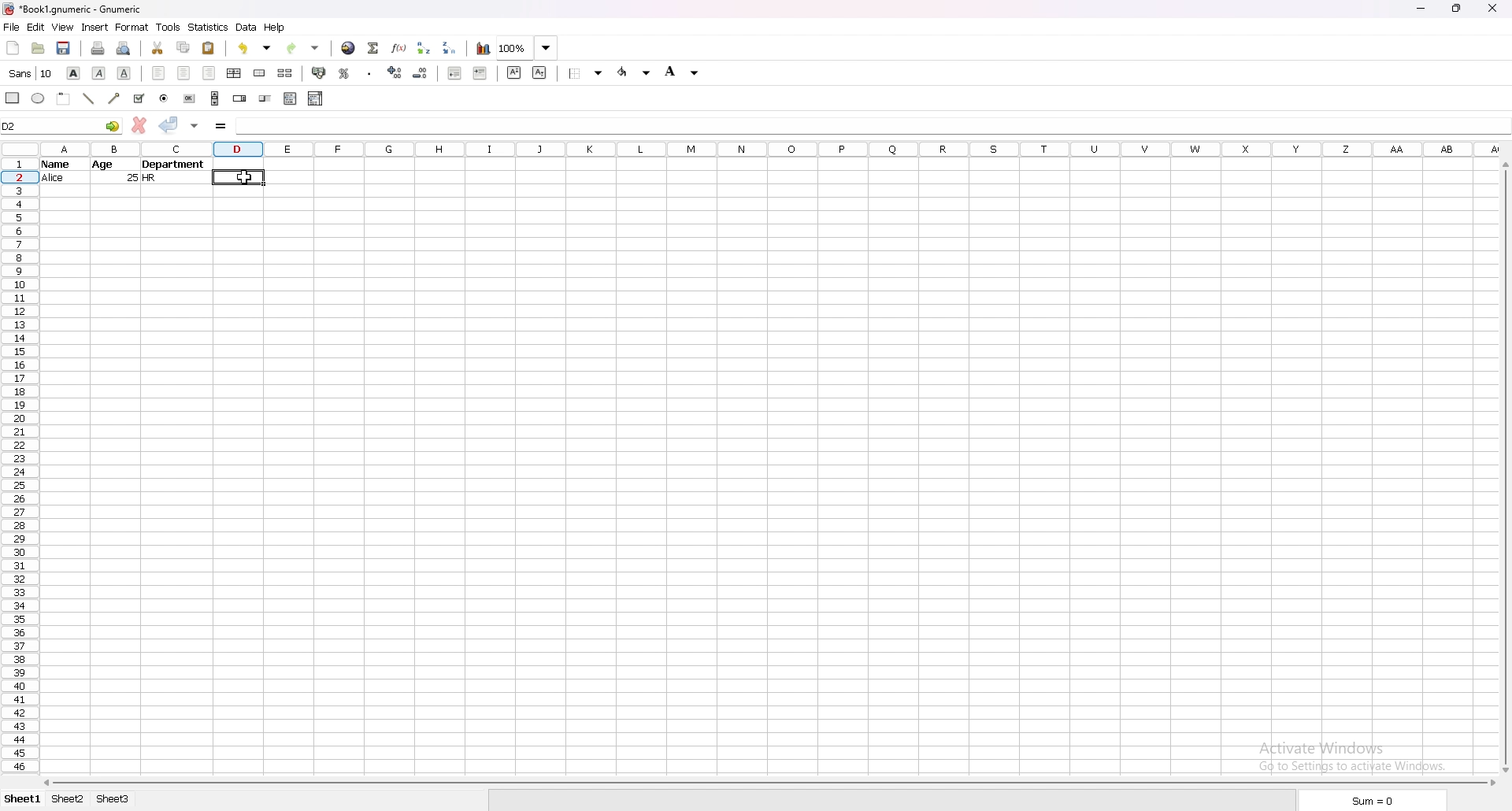 The width and height of the screenshot is (1512, 811). What do you see at coordinates (1504, 468) in the screenshot?
I see `scroll bar` at bounding box center [1504, 468].